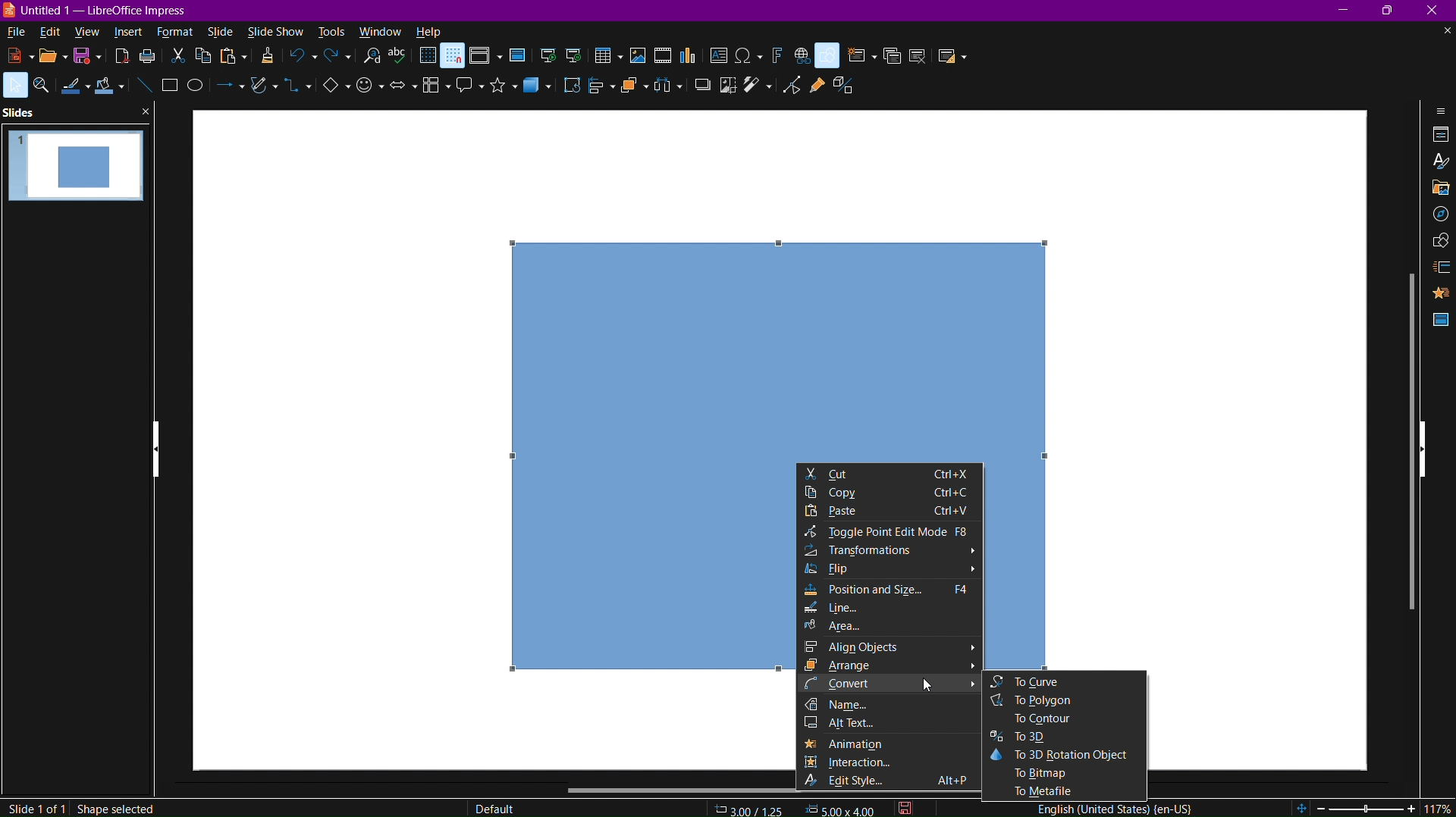 The image size is (1456, 817). I want to click on Line Color, so click(74, 89).